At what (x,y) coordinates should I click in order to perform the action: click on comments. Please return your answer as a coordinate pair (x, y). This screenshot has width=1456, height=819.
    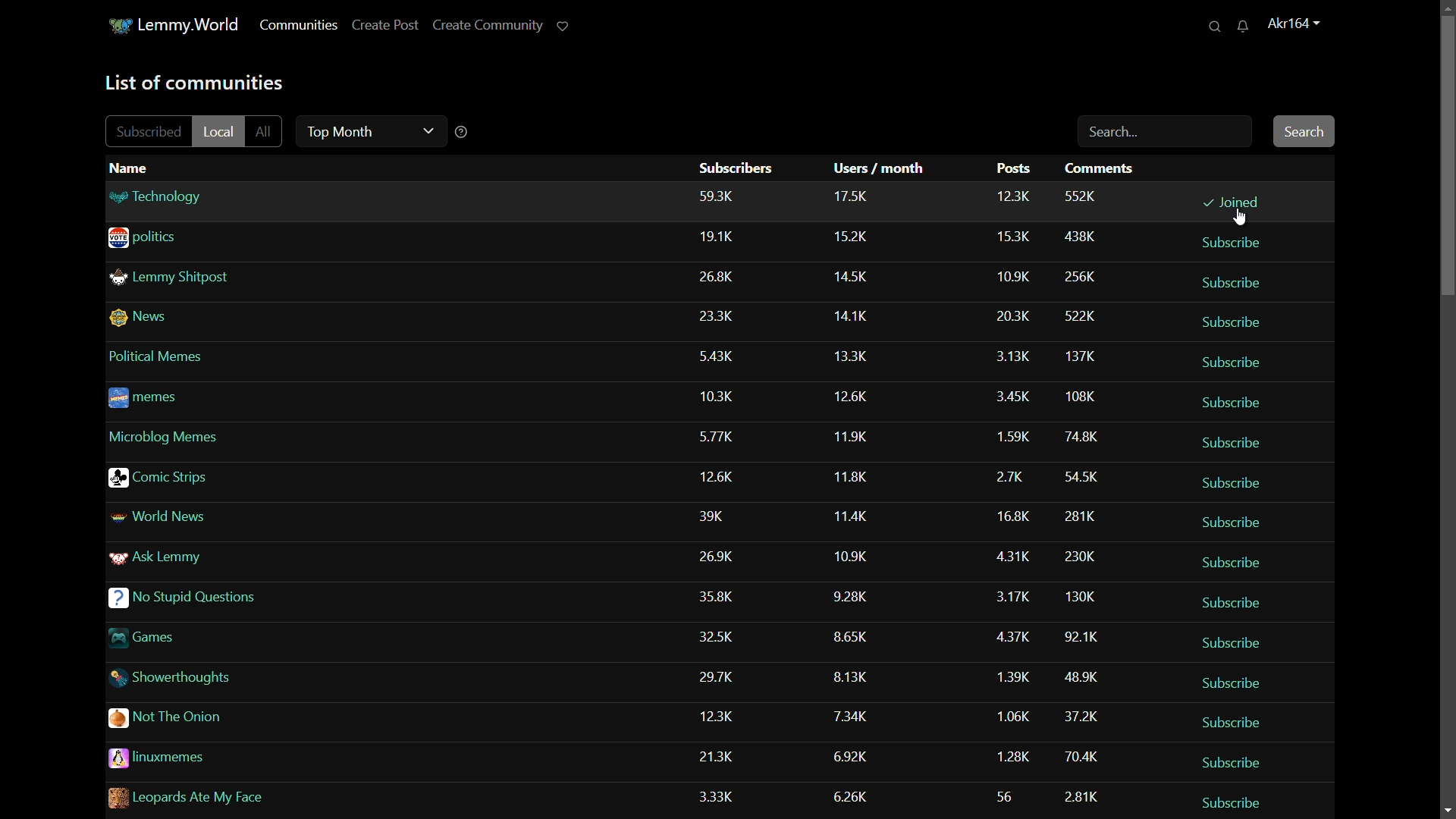
    Looking at the image, I should click on (1080, 316).